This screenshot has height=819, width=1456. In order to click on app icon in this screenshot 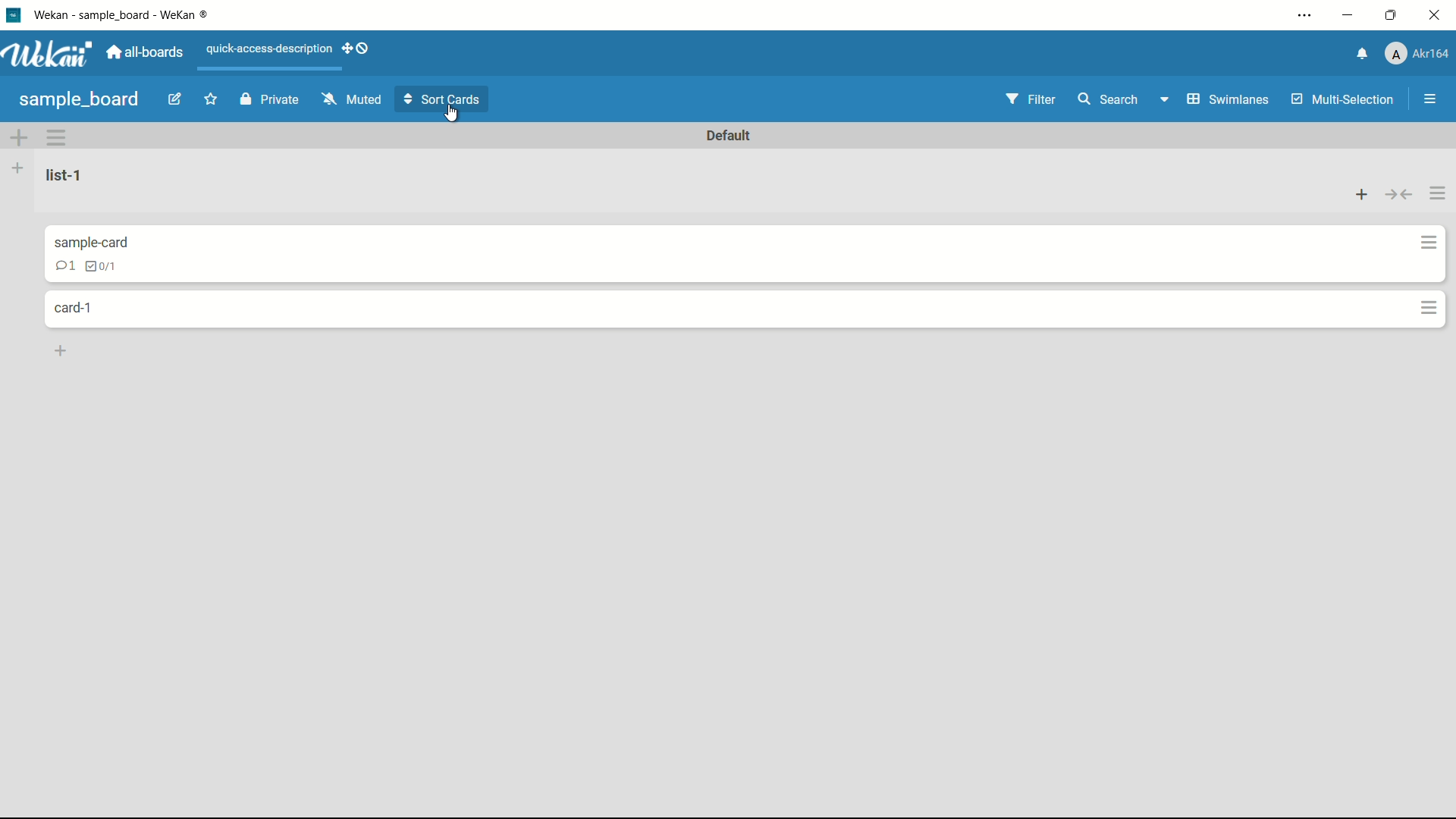, I will do `click(13, 14)`.